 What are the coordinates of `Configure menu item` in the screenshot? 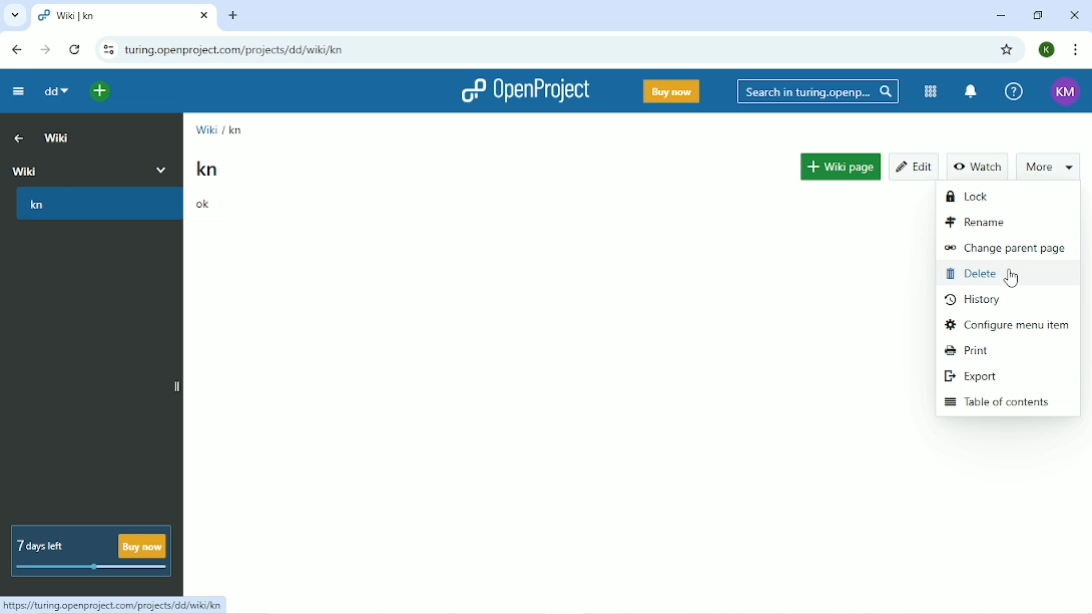 It's located at (1006, 324).